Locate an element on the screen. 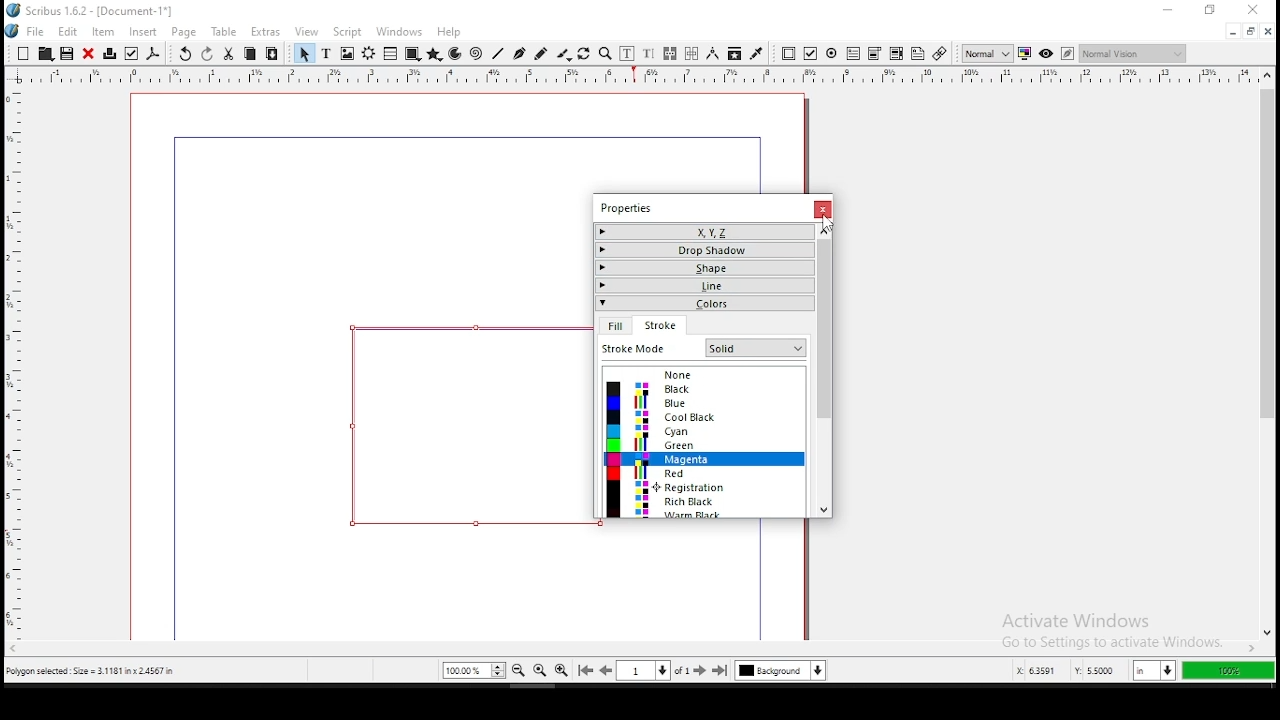 The image size is (1280, 720). red is located at coordinates (703, 472).